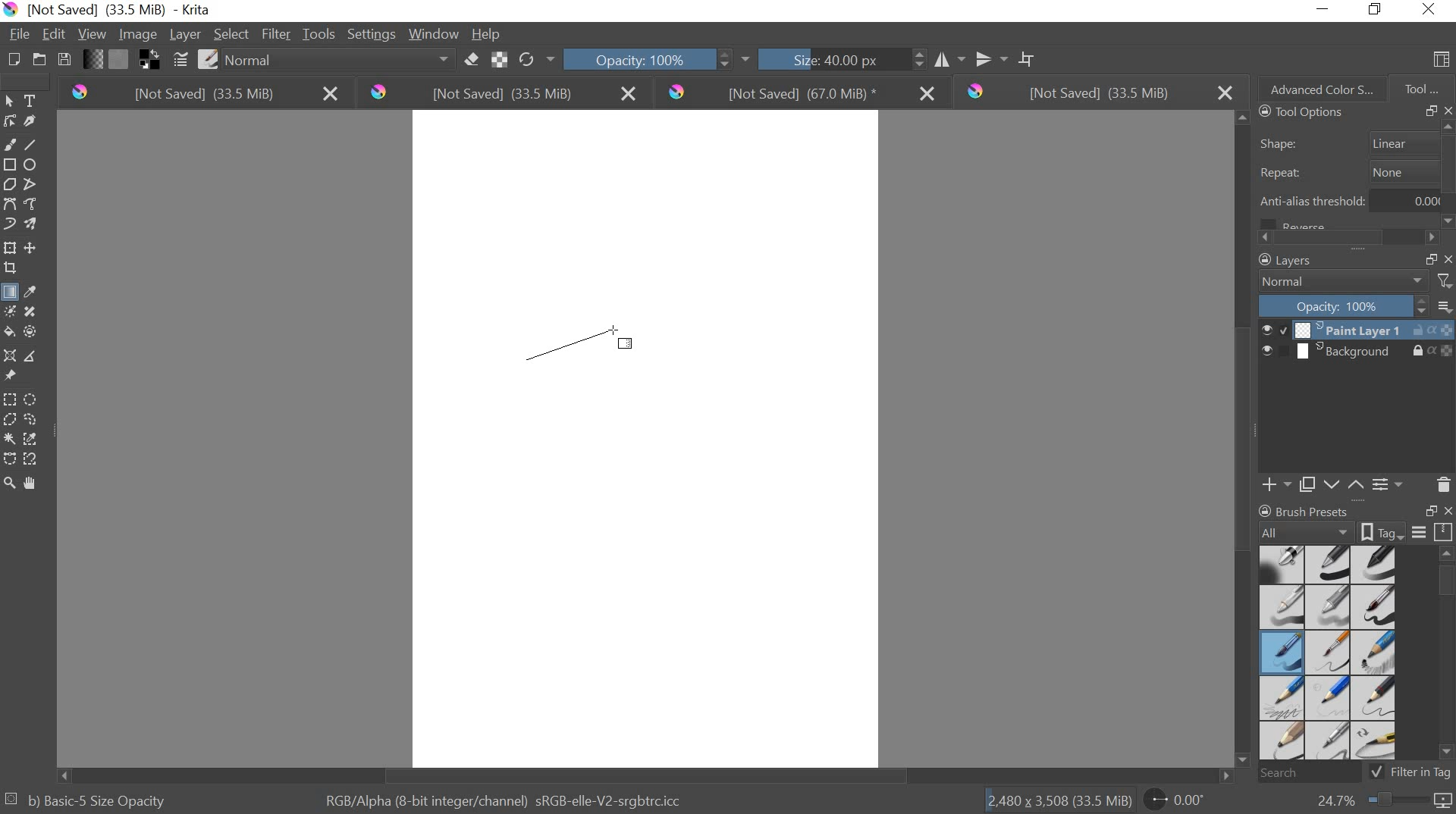 The width and height of the screenshot is (1456, 814). I want to click on VIEW, so click(92, 36).